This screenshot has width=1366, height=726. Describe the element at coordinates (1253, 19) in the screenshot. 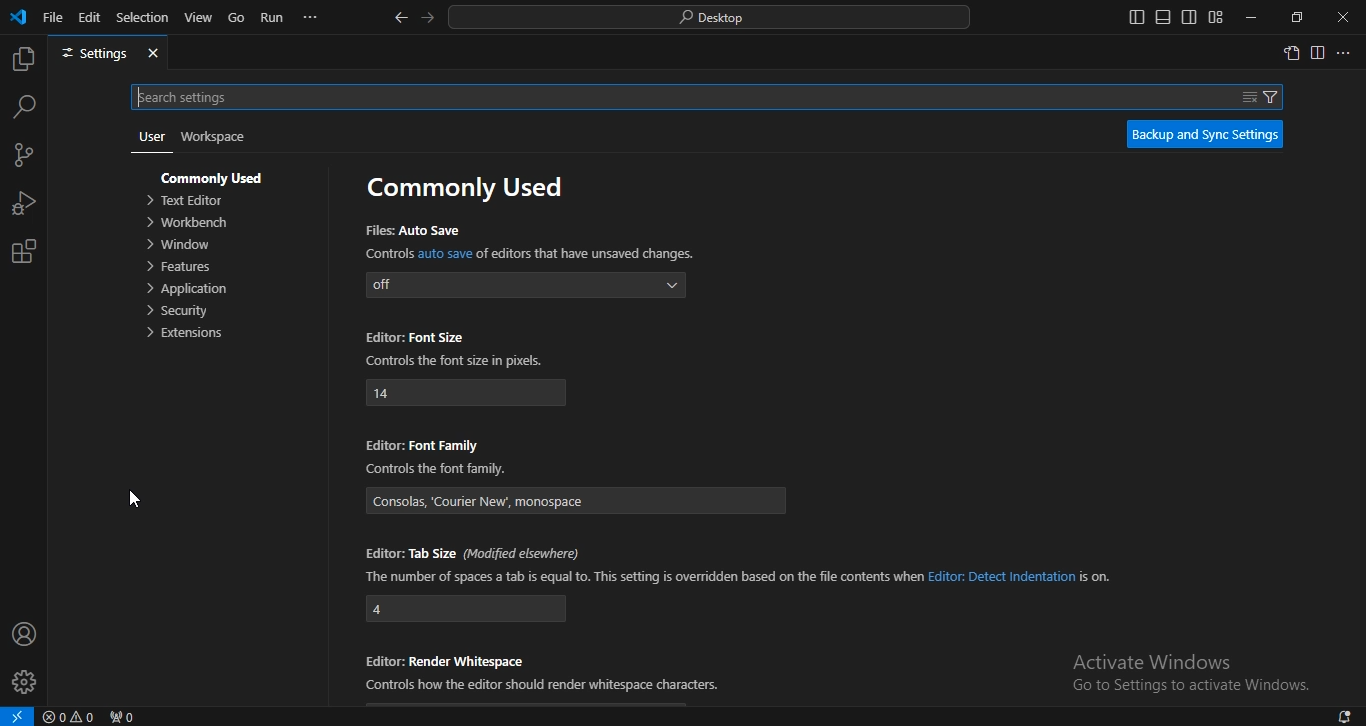

I see `minimize` at that location.